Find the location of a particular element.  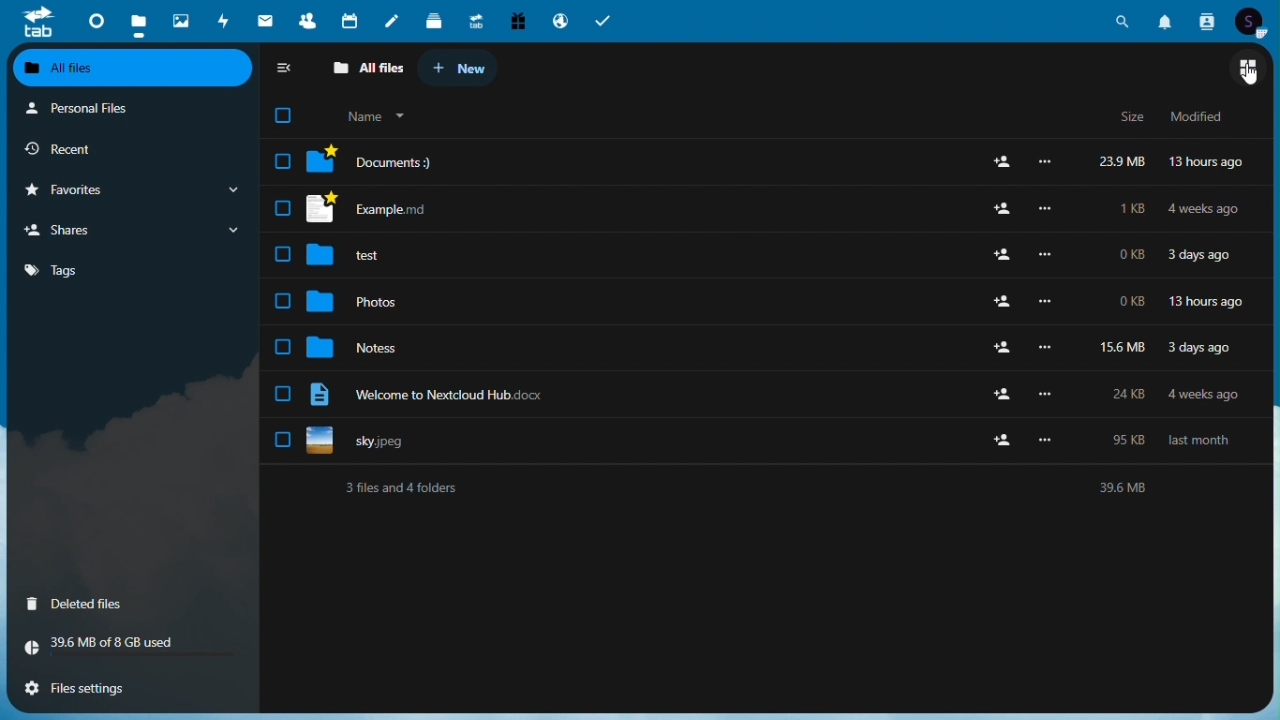

sky.jpeg is located at coordinates (384, 444).